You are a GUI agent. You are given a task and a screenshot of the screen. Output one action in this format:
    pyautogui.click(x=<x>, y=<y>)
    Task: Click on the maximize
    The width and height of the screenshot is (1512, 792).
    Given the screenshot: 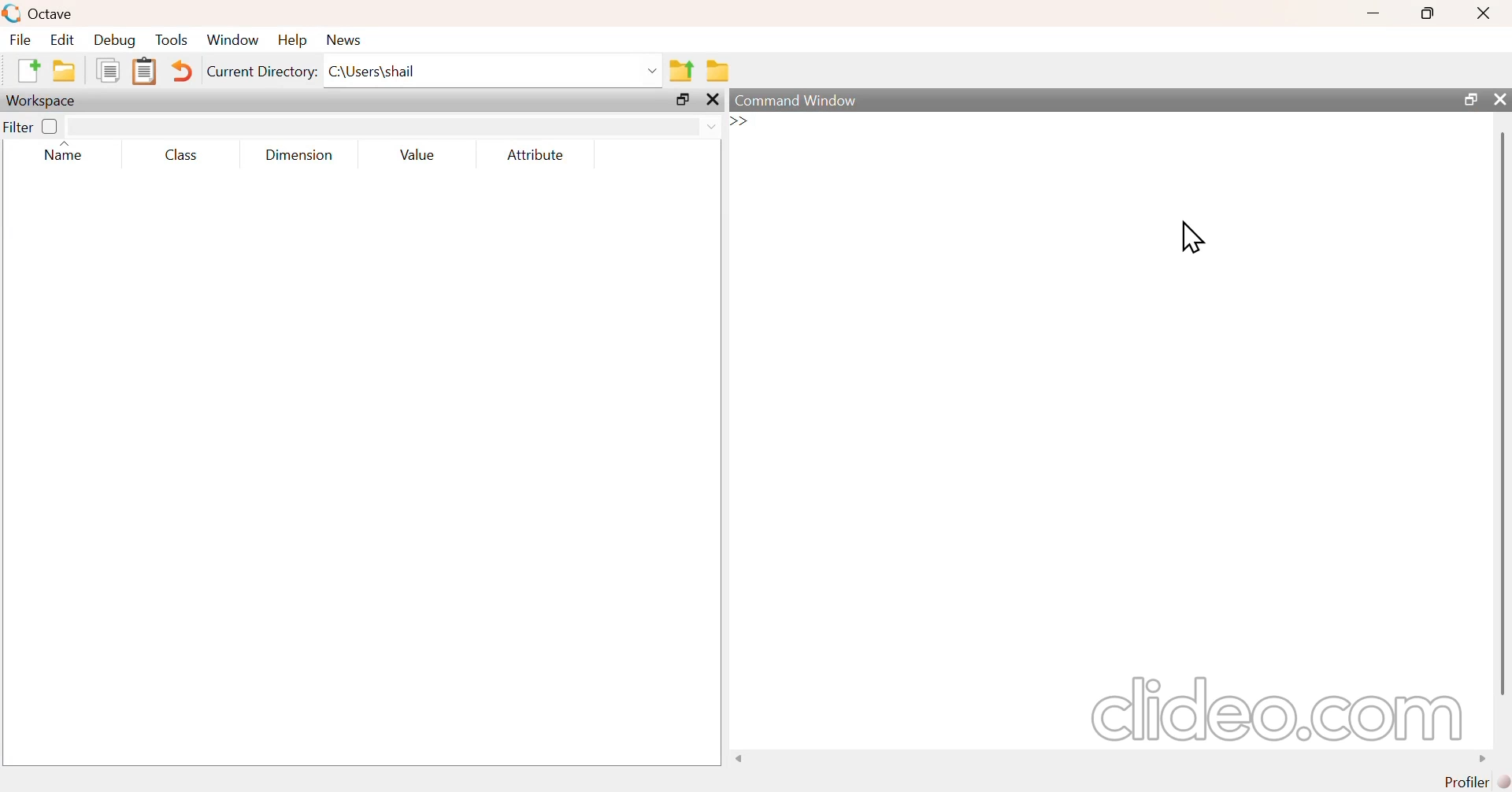 What is the action you would take?
    pyautogui.click(x=1429, y=13)
    